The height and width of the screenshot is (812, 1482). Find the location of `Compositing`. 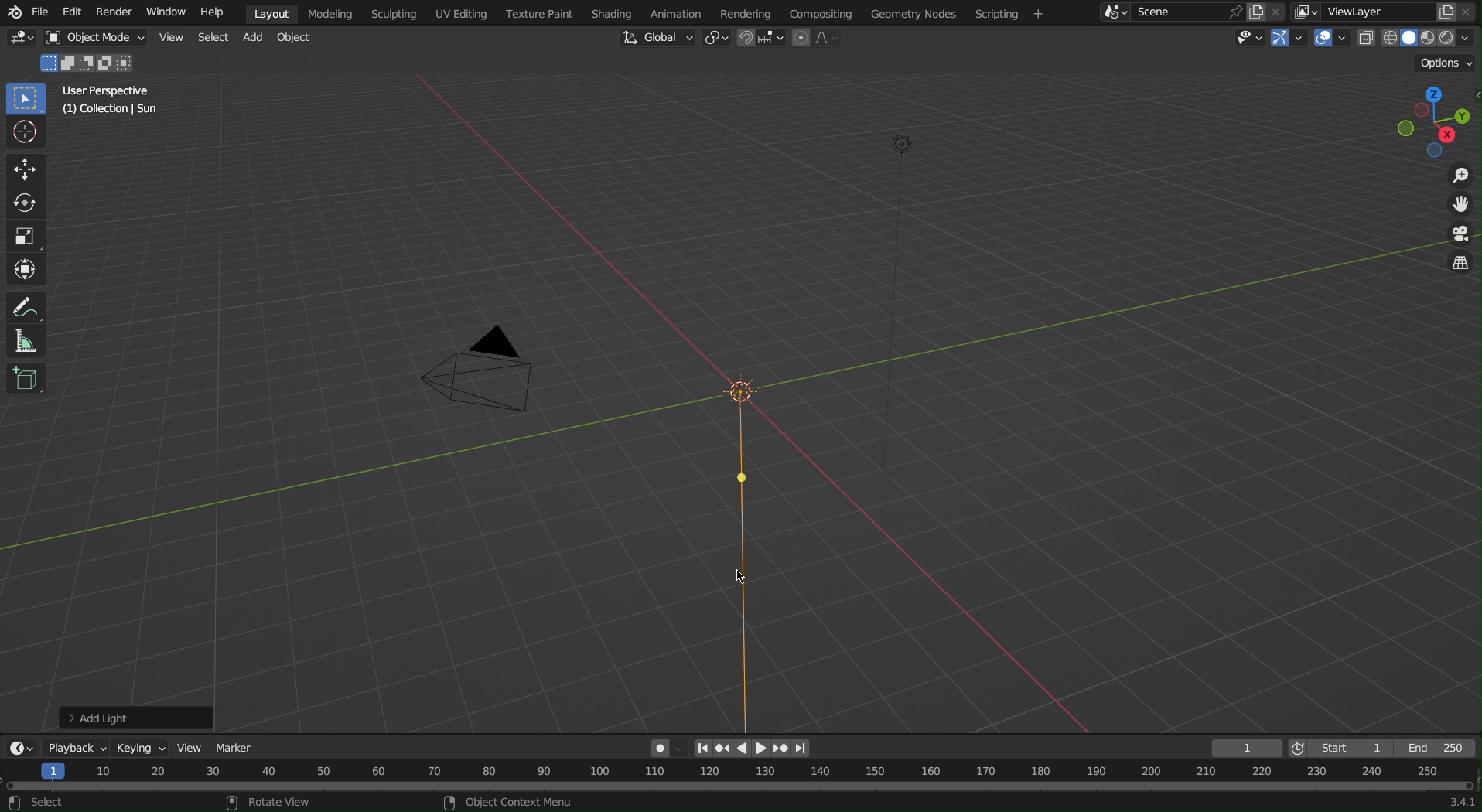

Compositing is located at coordinates (820, 12).